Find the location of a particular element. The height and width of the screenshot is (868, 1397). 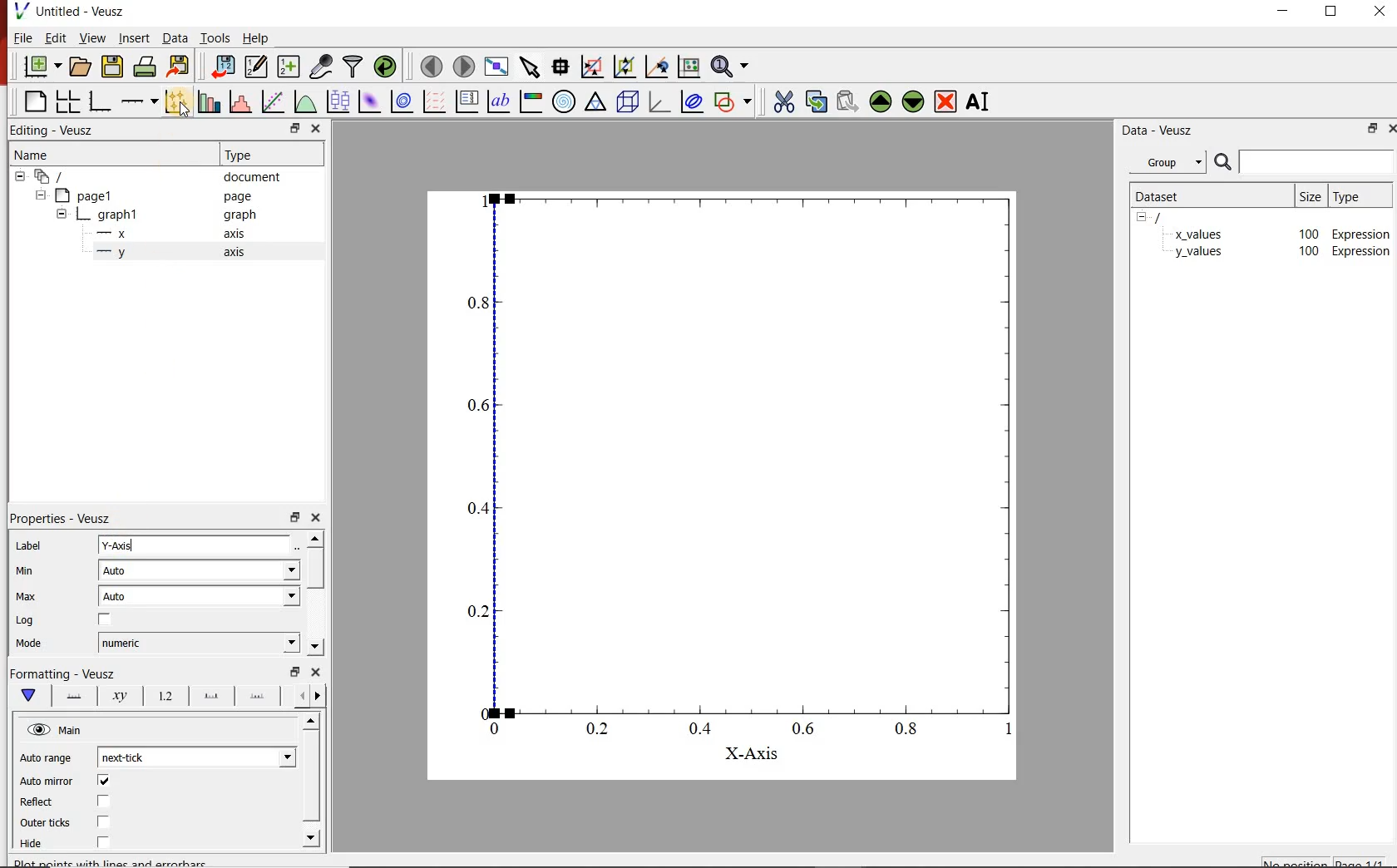

y_values is located at coordinates (1198, 253).